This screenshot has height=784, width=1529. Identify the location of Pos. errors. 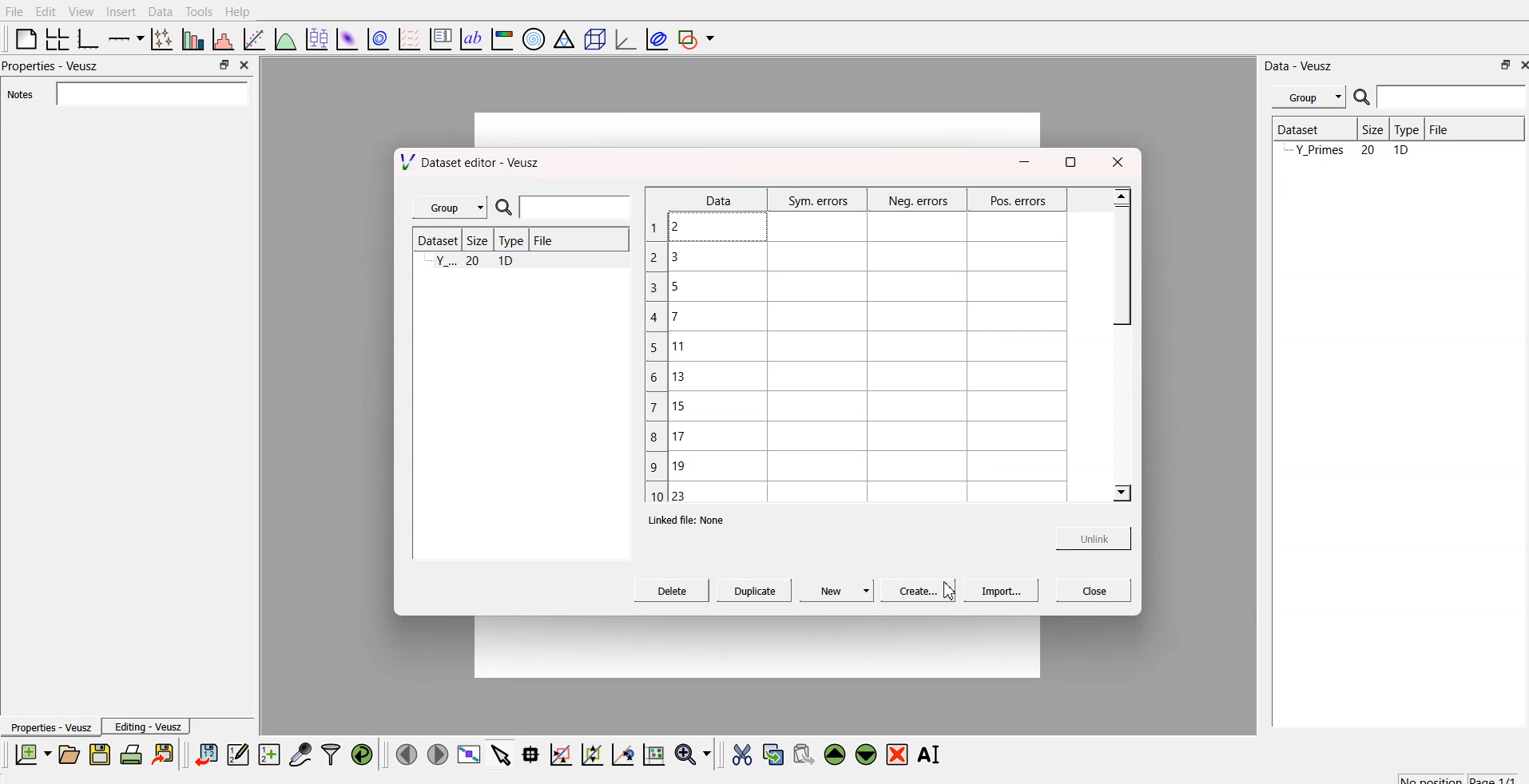
(1019, 203).